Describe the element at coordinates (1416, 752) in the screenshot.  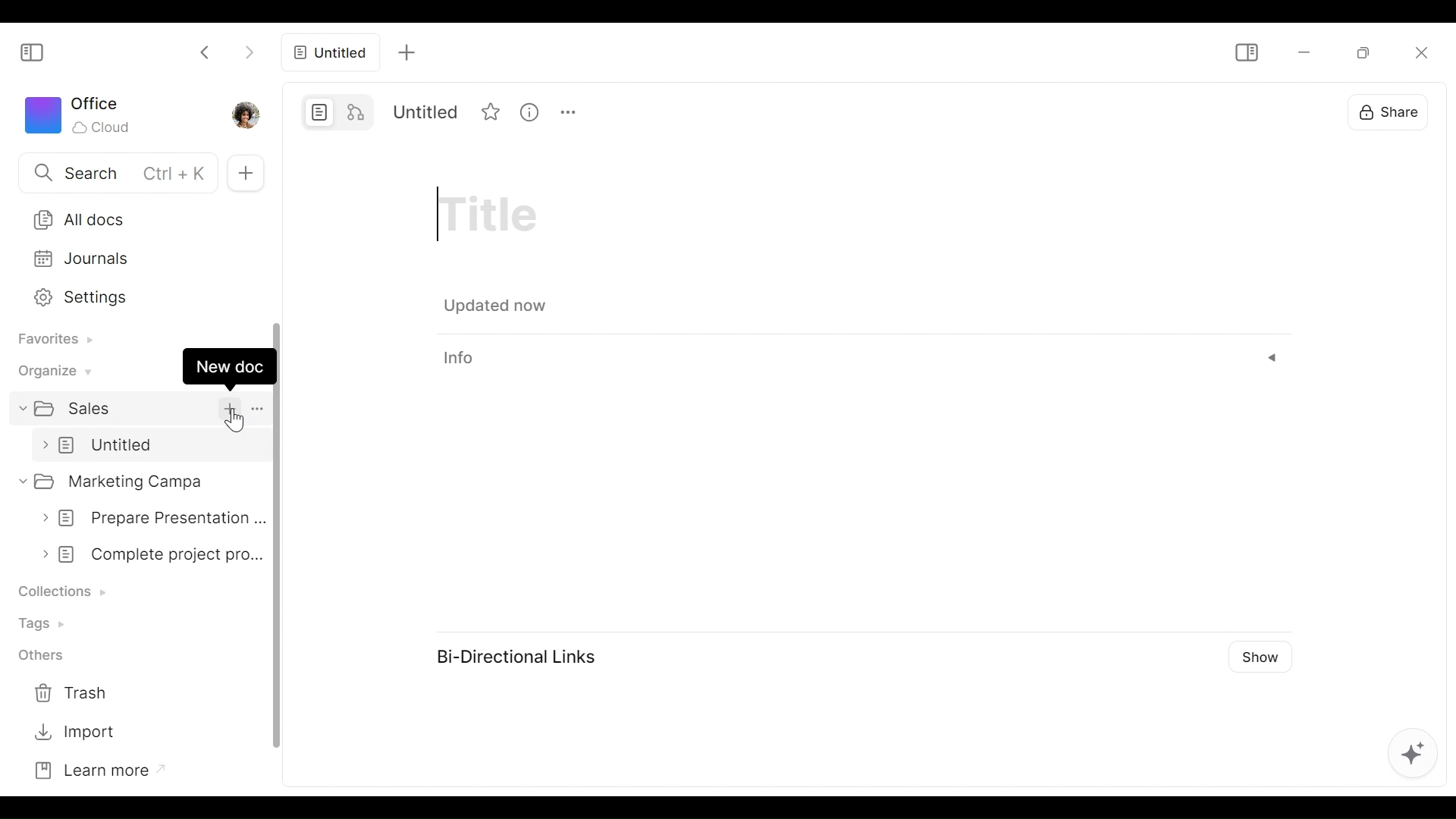
I see `AFFiNE AI` at that location.